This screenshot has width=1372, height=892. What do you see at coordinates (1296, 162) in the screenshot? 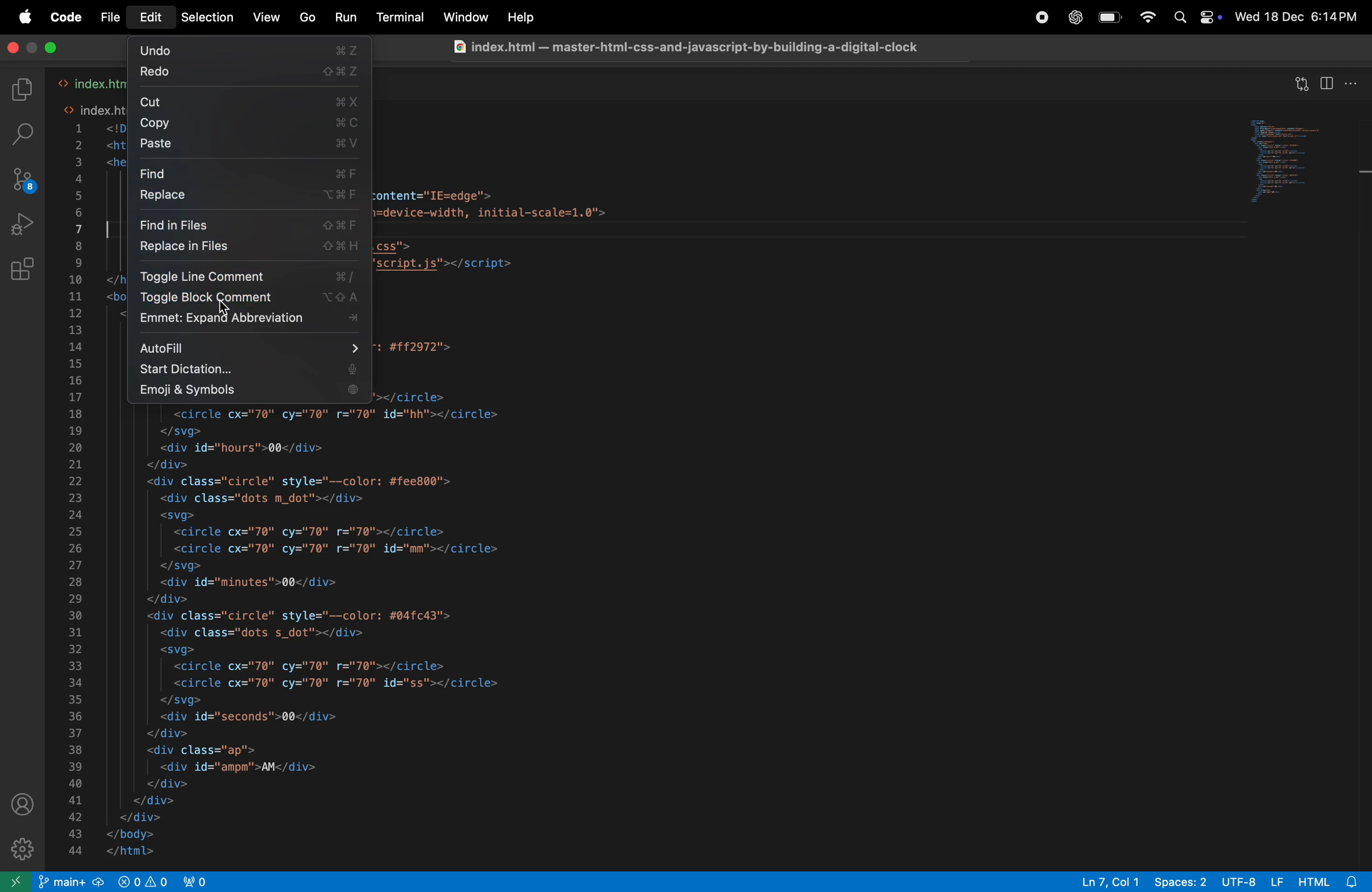
I see `code window` at bounding box center [1296, 162].